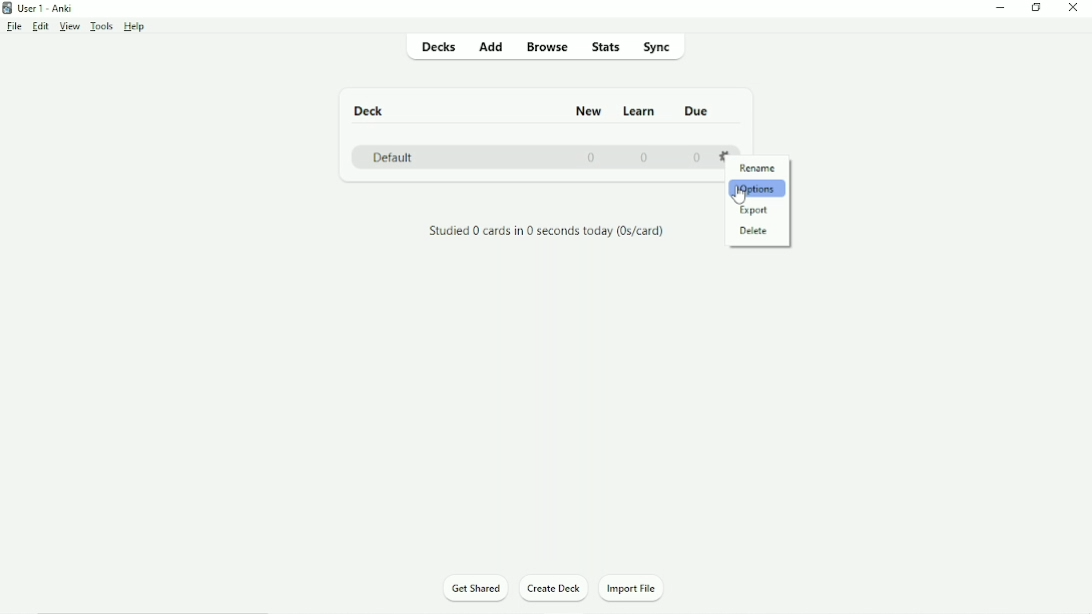 The height and width of the screenshot is (614, 1092). Describe the element at coordinates (1037, 7) in the screenshot. I see `Restore down` at that location.